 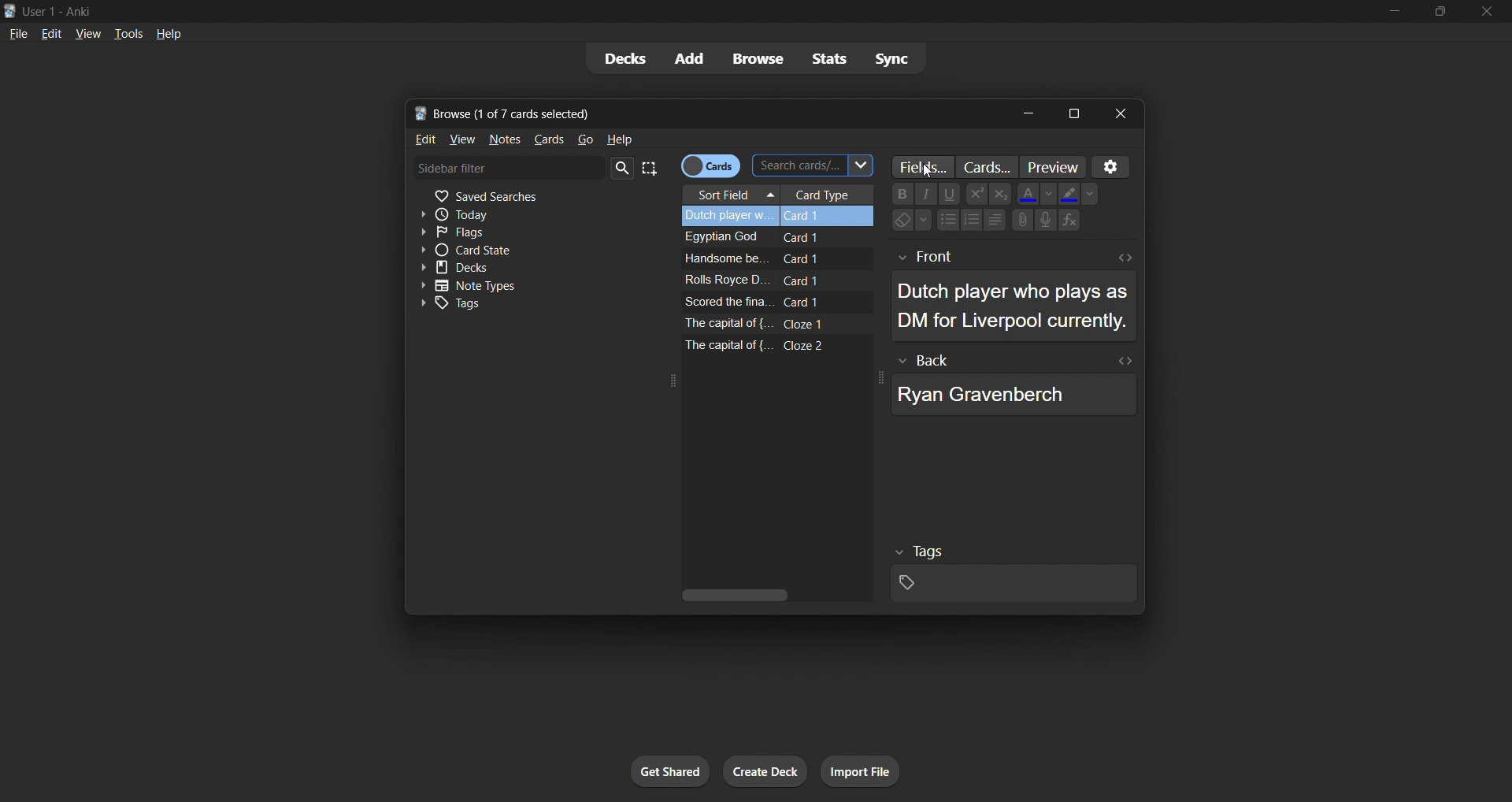 I want to click on search cards, so click(x=813, y=165).